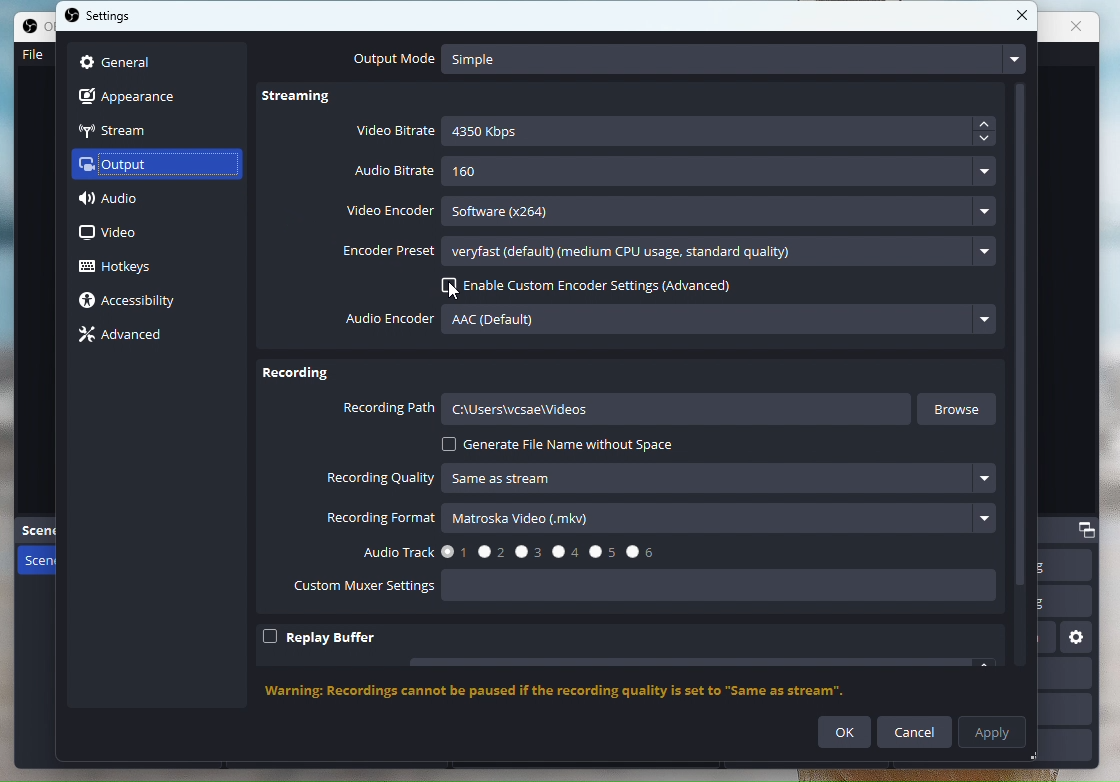 This screenshot has height=782, width=1120. Describe the element at coordinates (845, 733) in the screenshot. I see `ok` at that location.